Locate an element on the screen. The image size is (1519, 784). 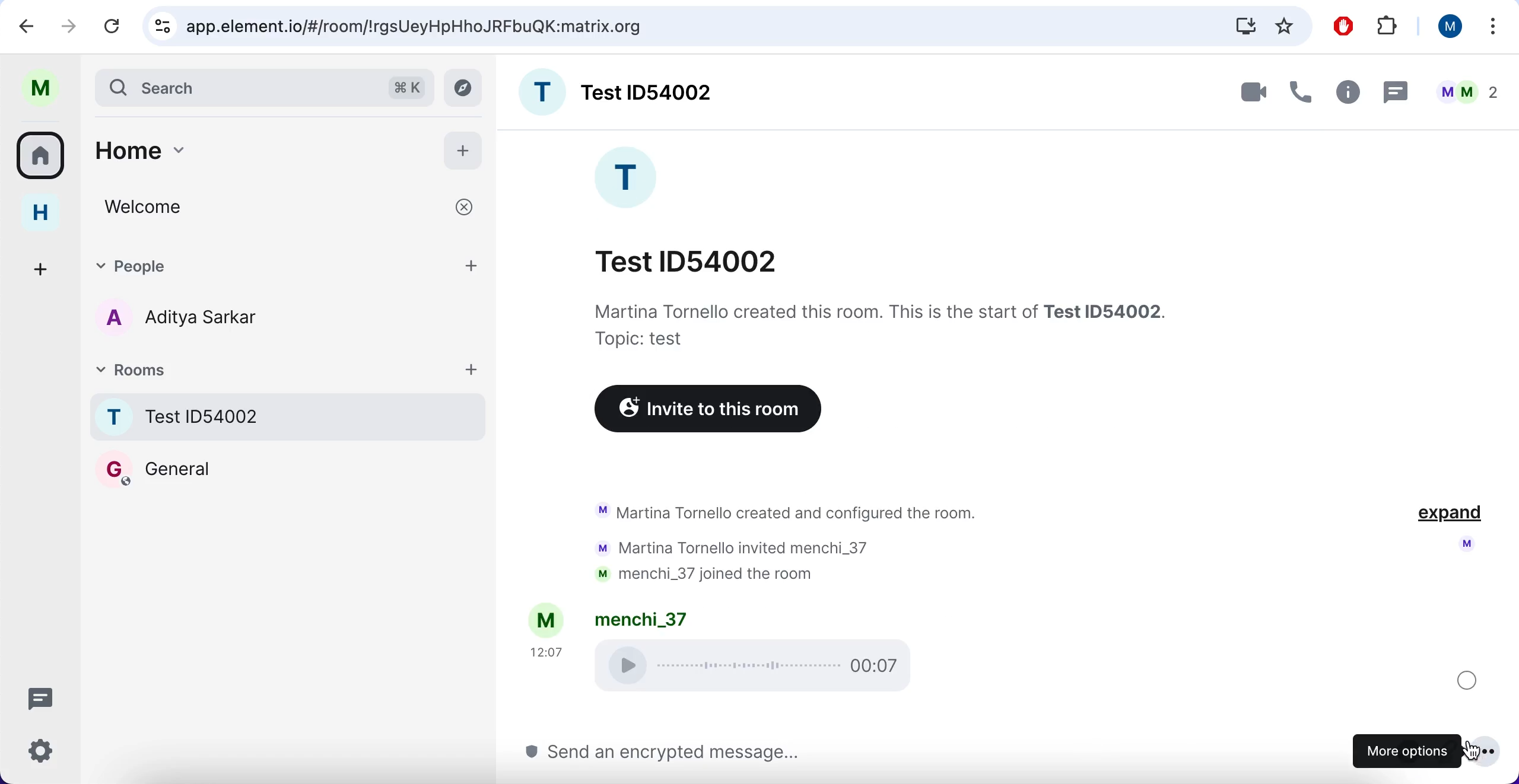
reload current page is located at coordinates (114, 27).